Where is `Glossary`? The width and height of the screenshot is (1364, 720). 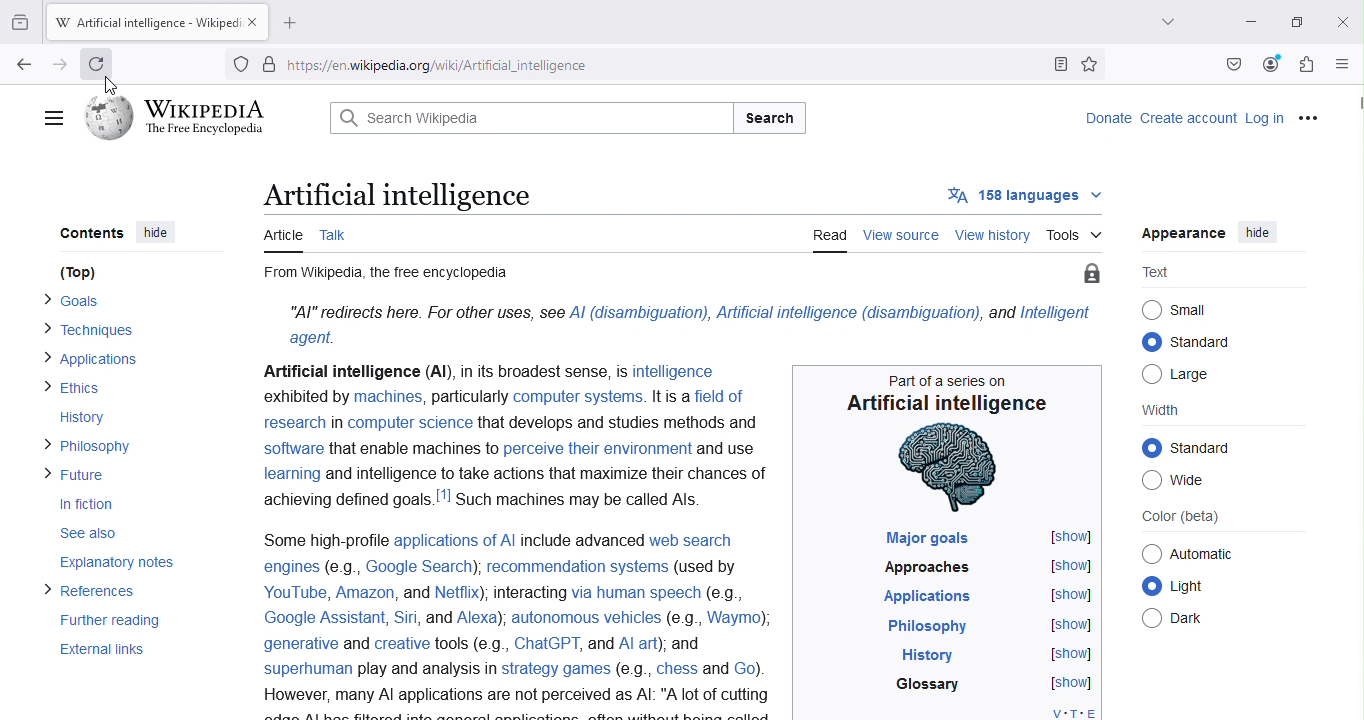 Glossary is located at coordinates (929, 687).